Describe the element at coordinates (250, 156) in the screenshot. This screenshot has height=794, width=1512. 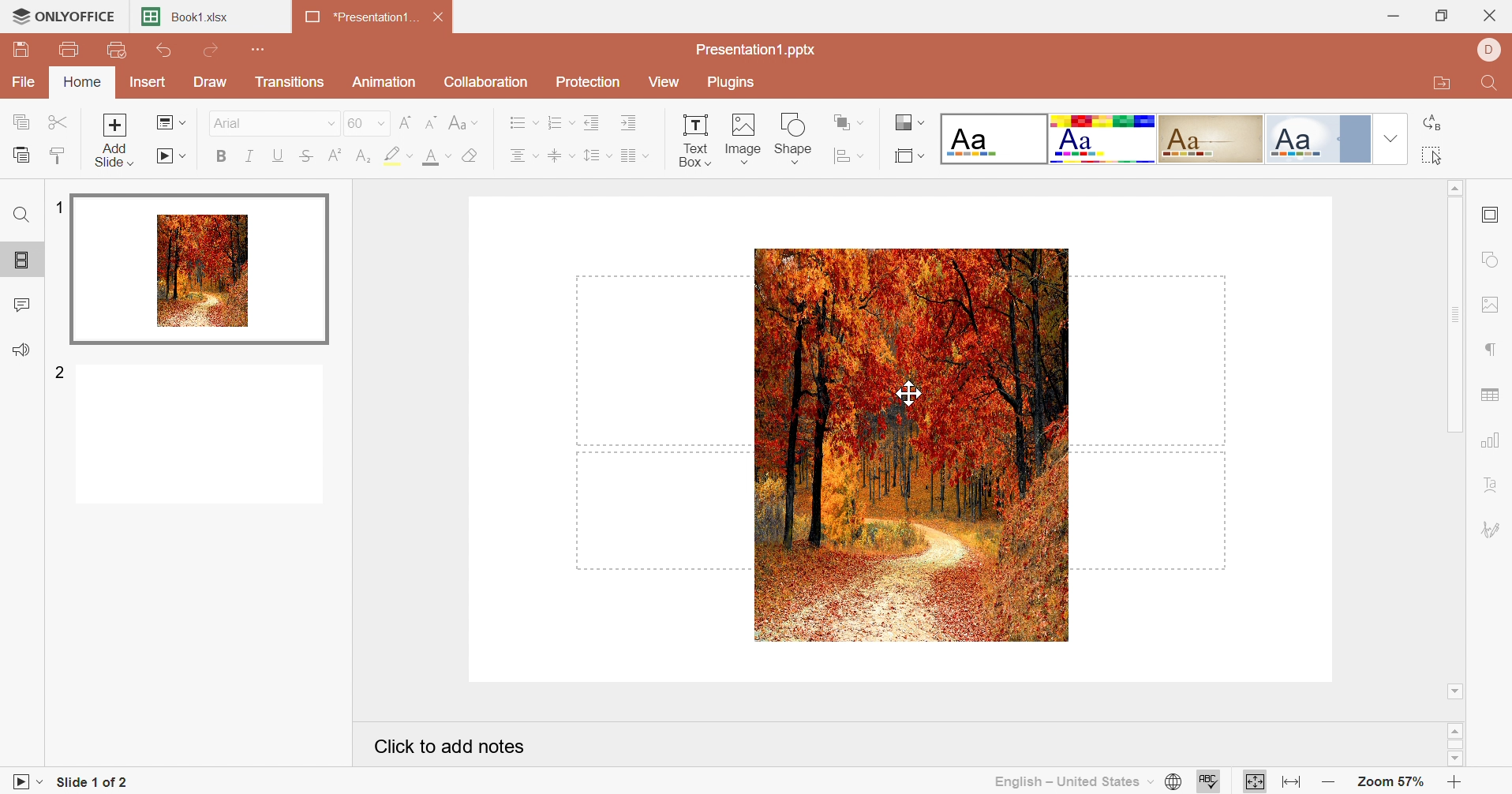
I see `Italic` at that location.